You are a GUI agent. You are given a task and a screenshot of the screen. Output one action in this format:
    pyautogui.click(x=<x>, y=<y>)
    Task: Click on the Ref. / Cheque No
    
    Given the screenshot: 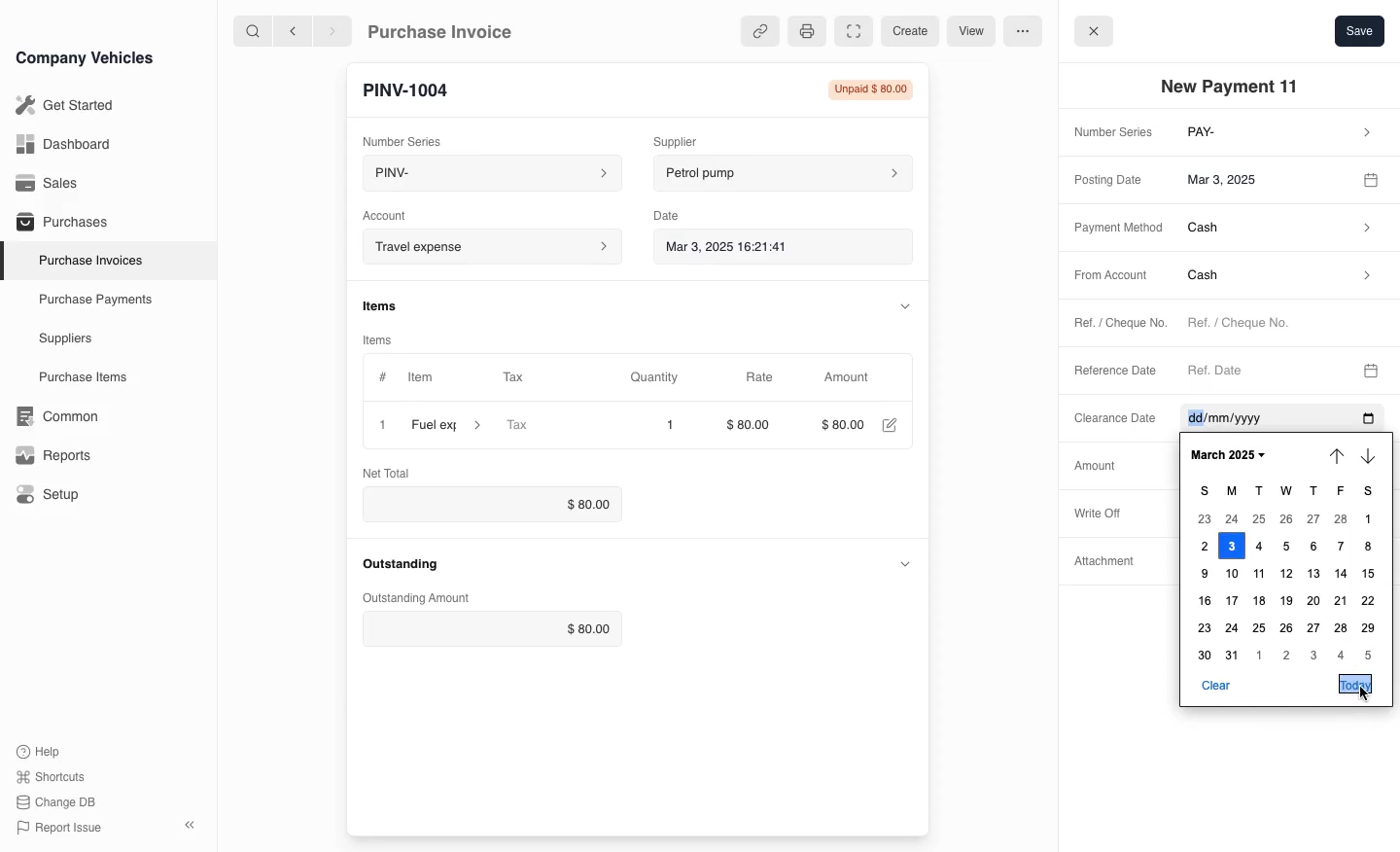 What is the action you would take?
    pyautogui.click(x=1110, y=325)
    